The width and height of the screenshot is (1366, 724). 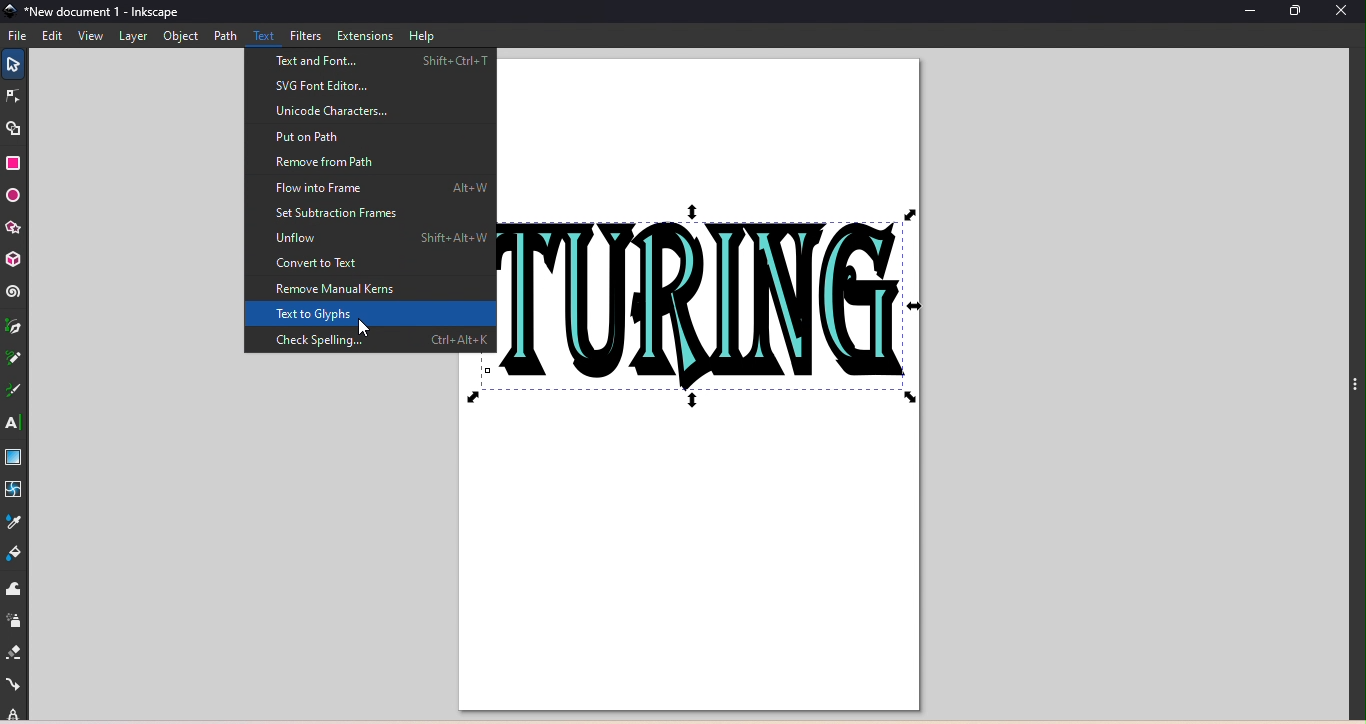 What do you see at coordinates (12, 422) in the screenshot?
I see `Text tool` at bounding box center [12, 422].